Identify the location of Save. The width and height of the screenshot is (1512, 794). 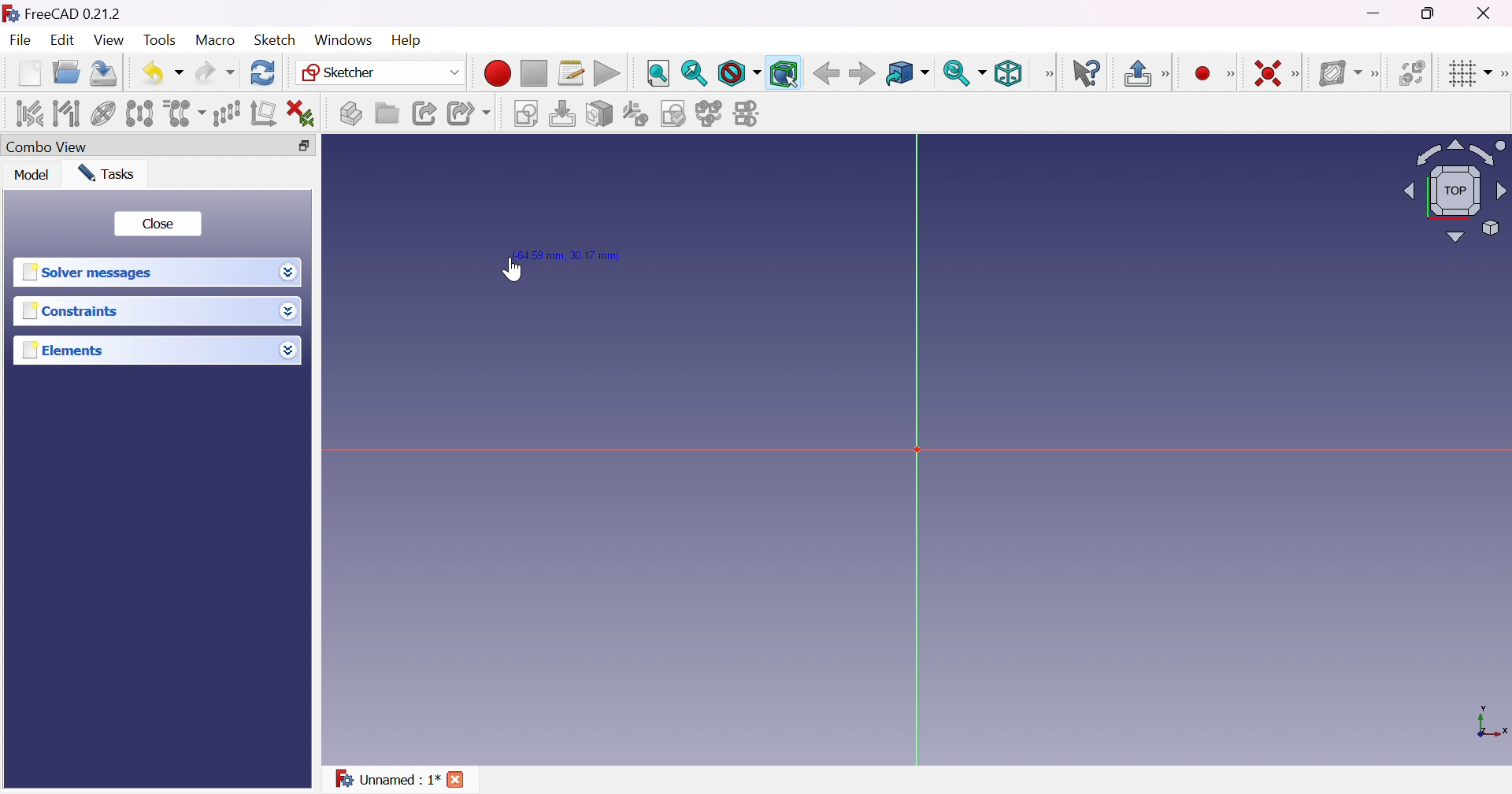
(105, 74).